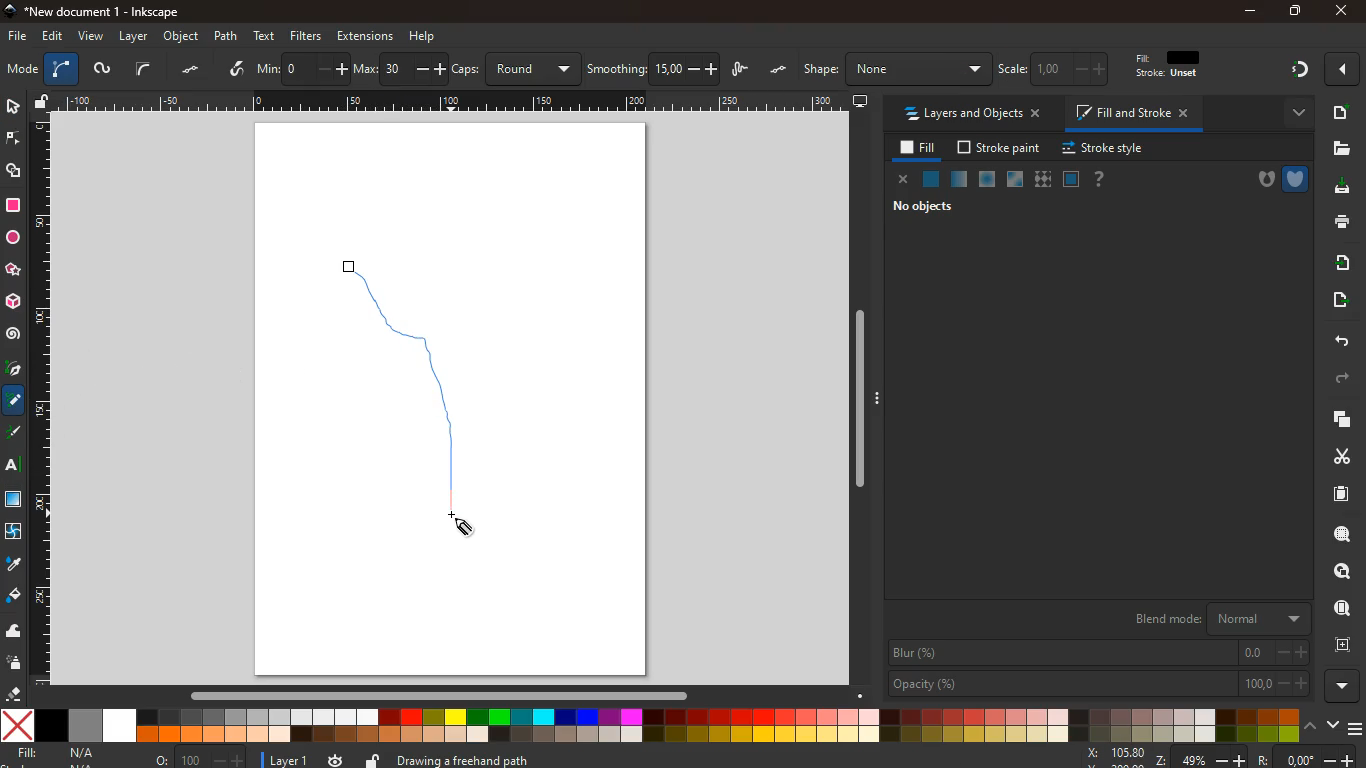 This screenshot has width=1366, height=768. I want to click on layer, so click(280, 759).